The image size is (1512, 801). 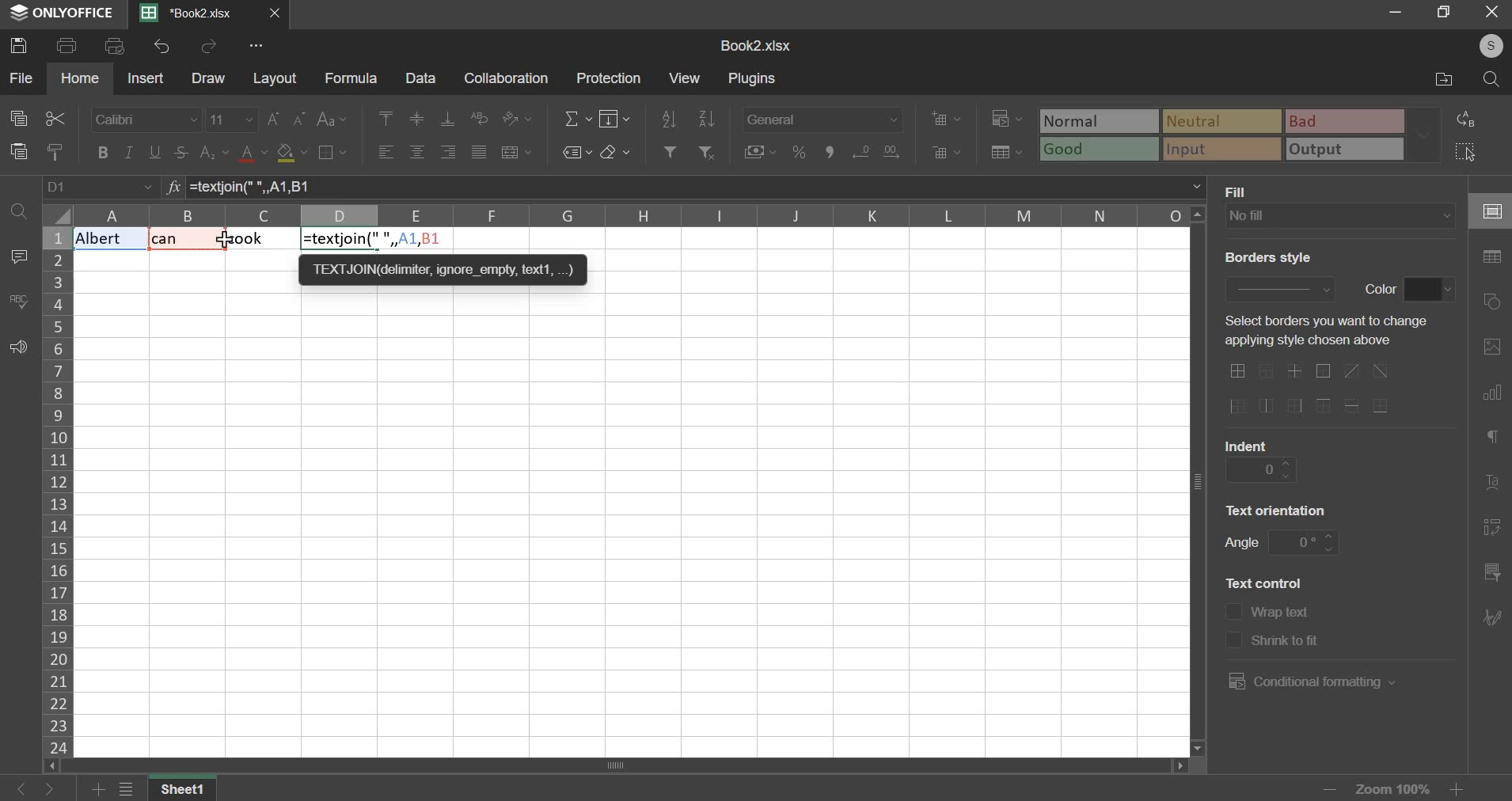 I want to click on slicer, so click(x=1490, y=575).